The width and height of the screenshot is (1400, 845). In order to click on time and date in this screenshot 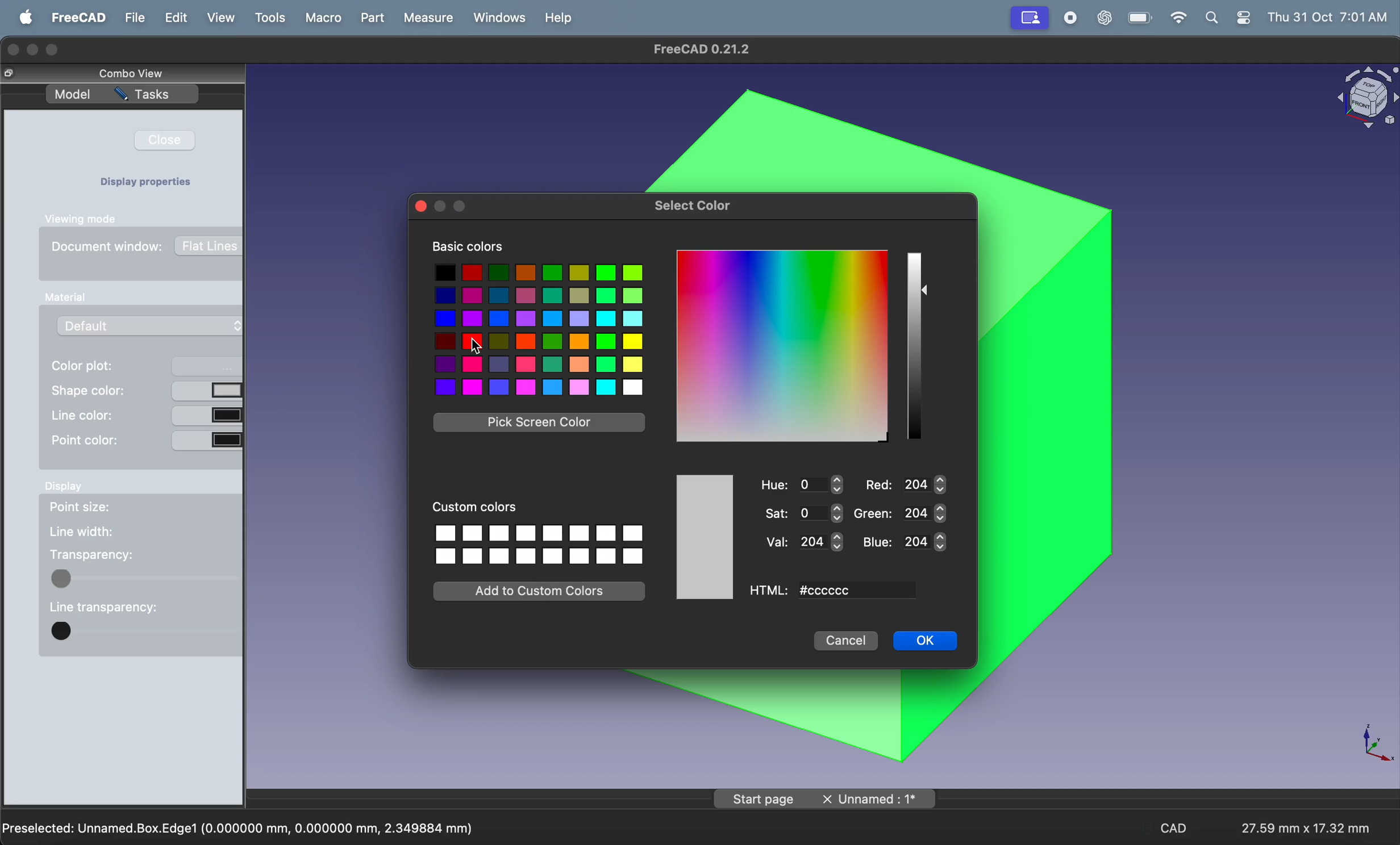, I will do `click(1330, 18)`.